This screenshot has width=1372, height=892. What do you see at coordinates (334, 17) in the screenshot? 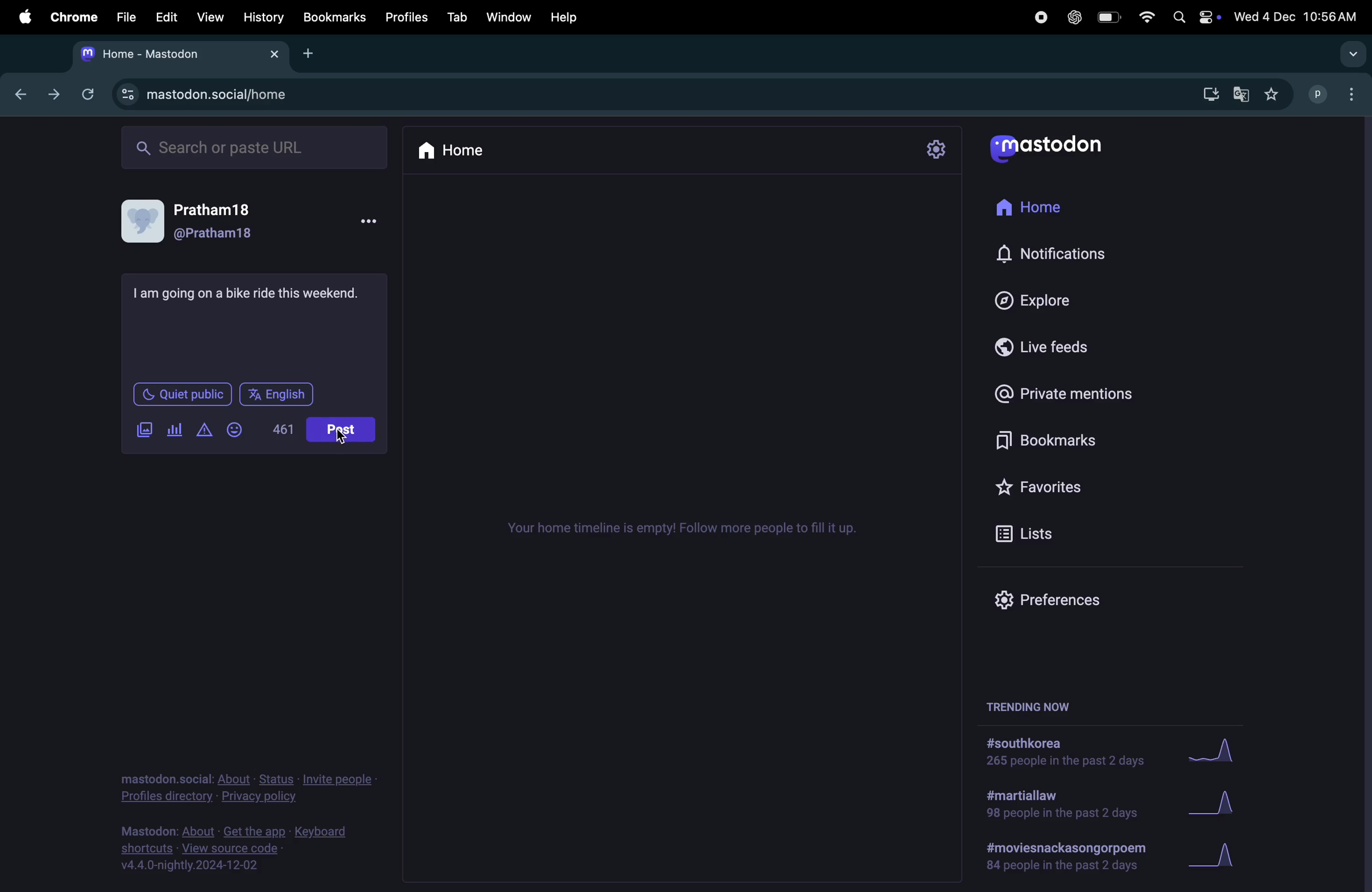
I see `Book marks` at bounding box center [334, 17].